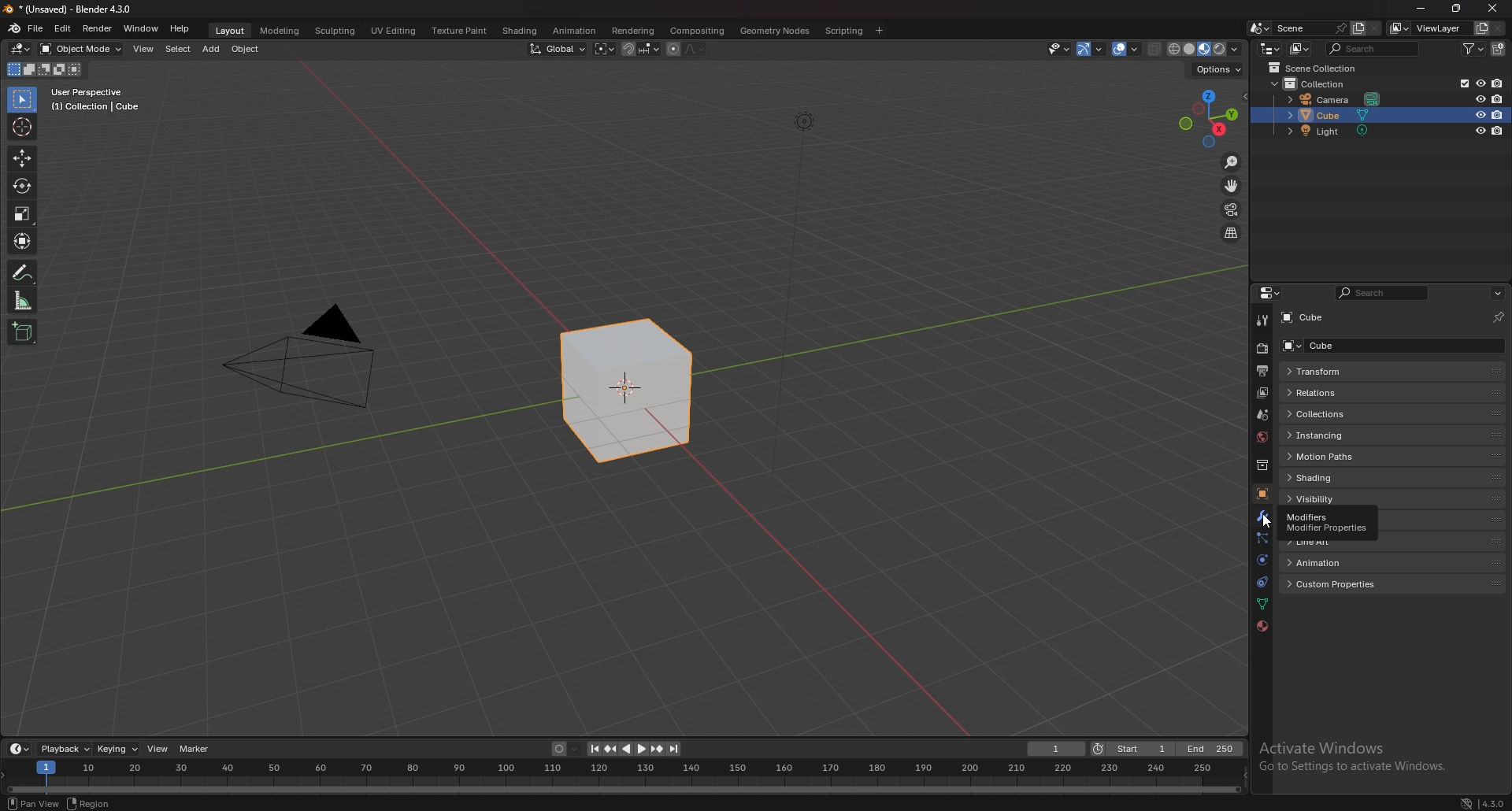  Describe the element at coordinates (97, 28) in the screenshot. I see `render` at that location.